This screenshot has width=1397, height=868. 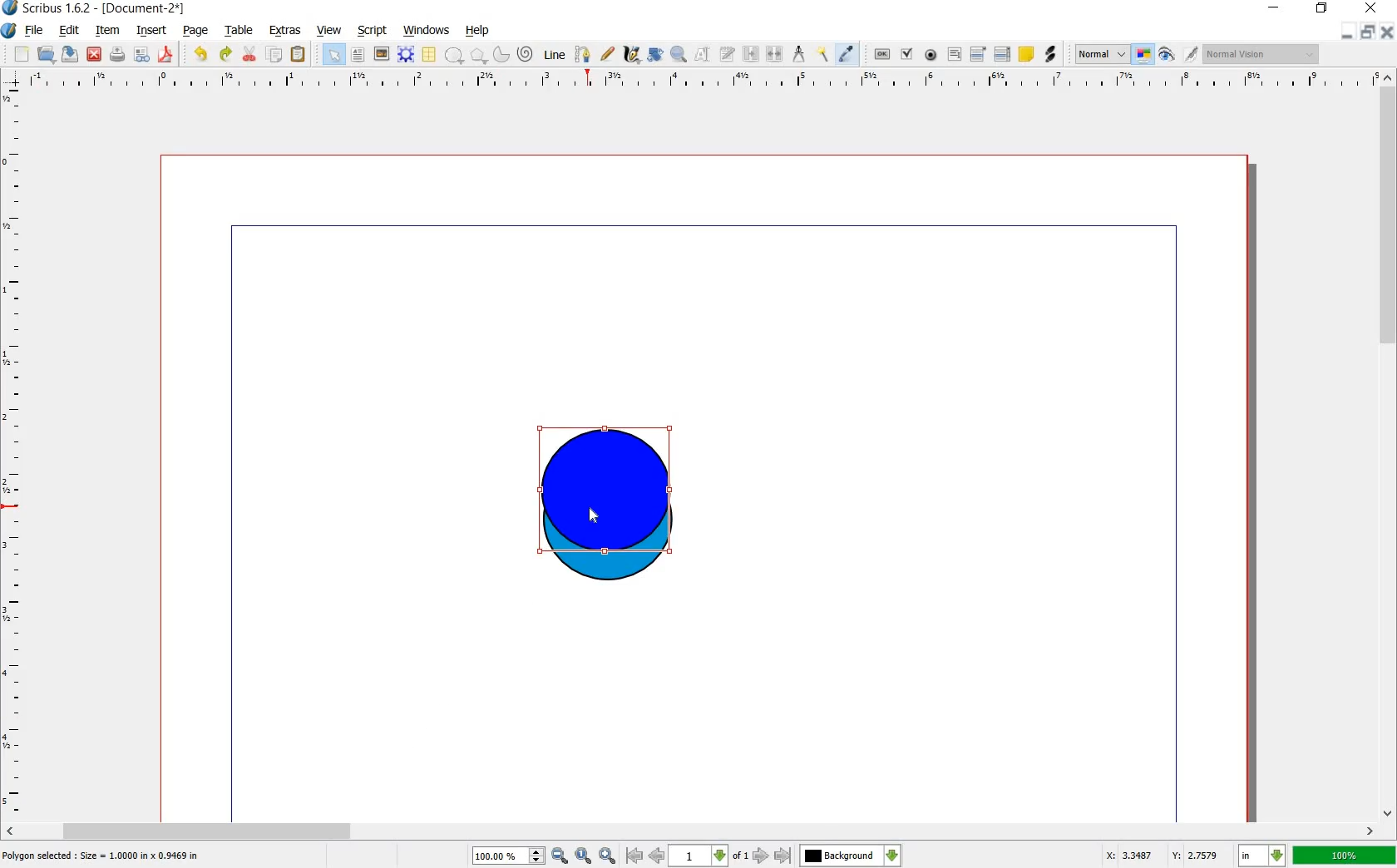 What do you see at coordinates (22, 55) in the screenshot?
I see `new` at bounding box center [22, 55].